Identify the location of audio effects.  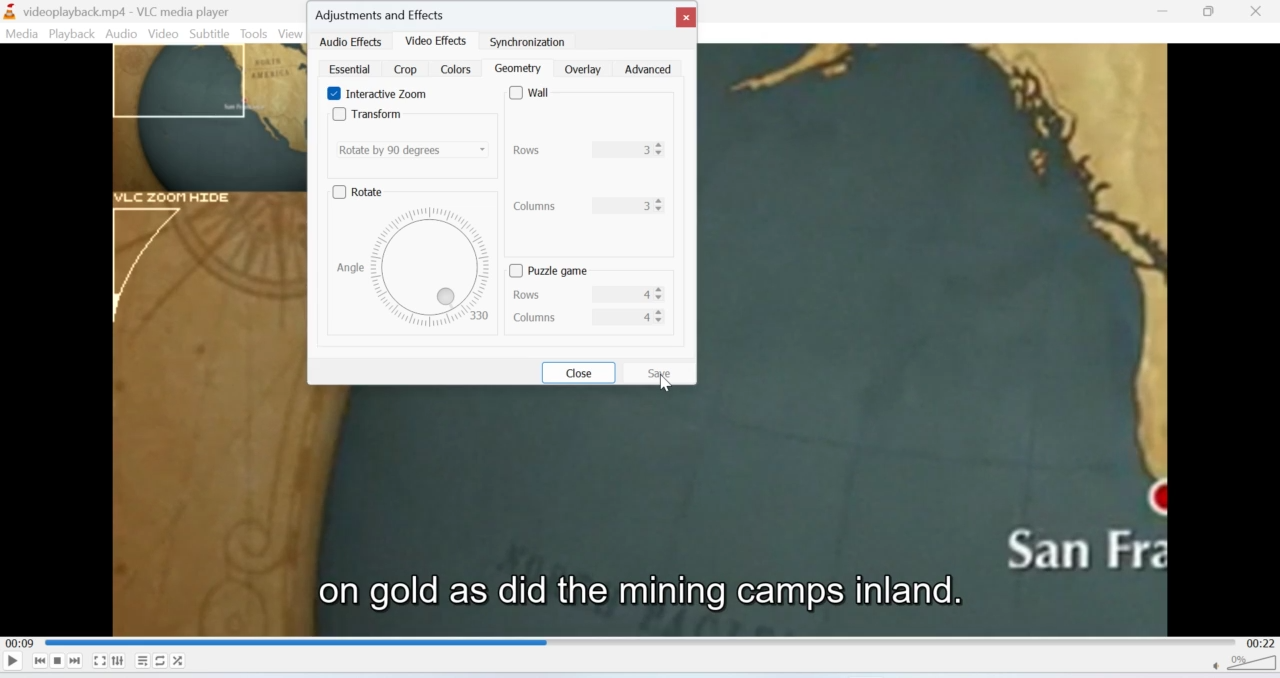
(351, 43).